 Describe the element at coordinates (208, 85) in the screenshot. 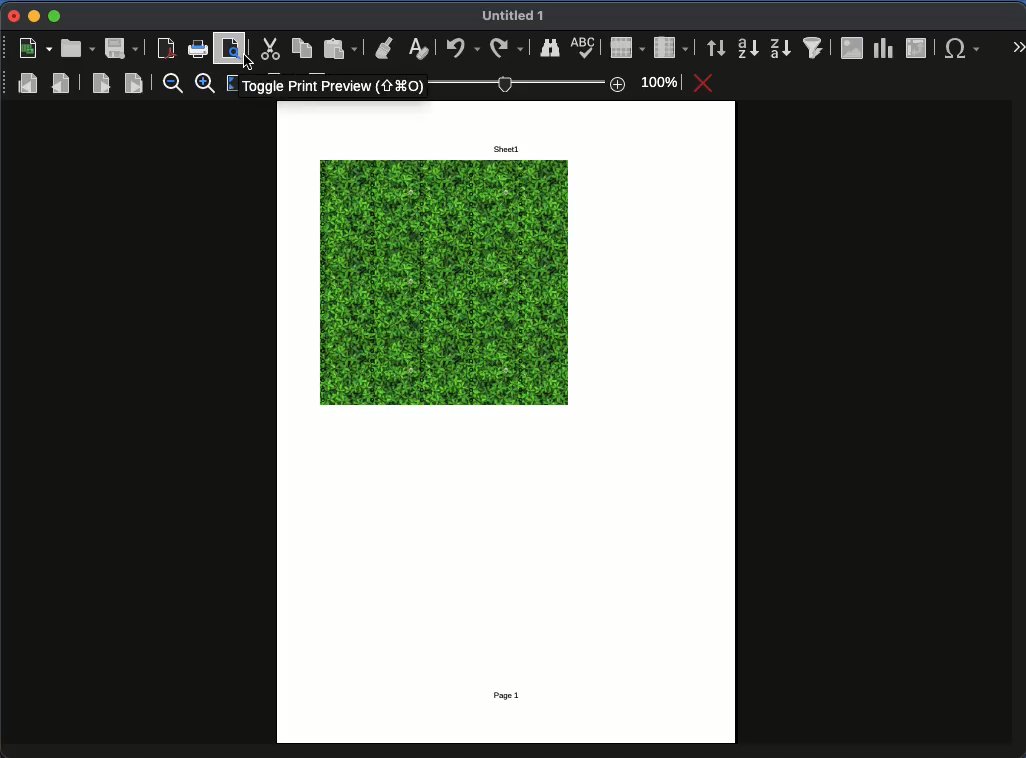

I see `zoom out` at that location.